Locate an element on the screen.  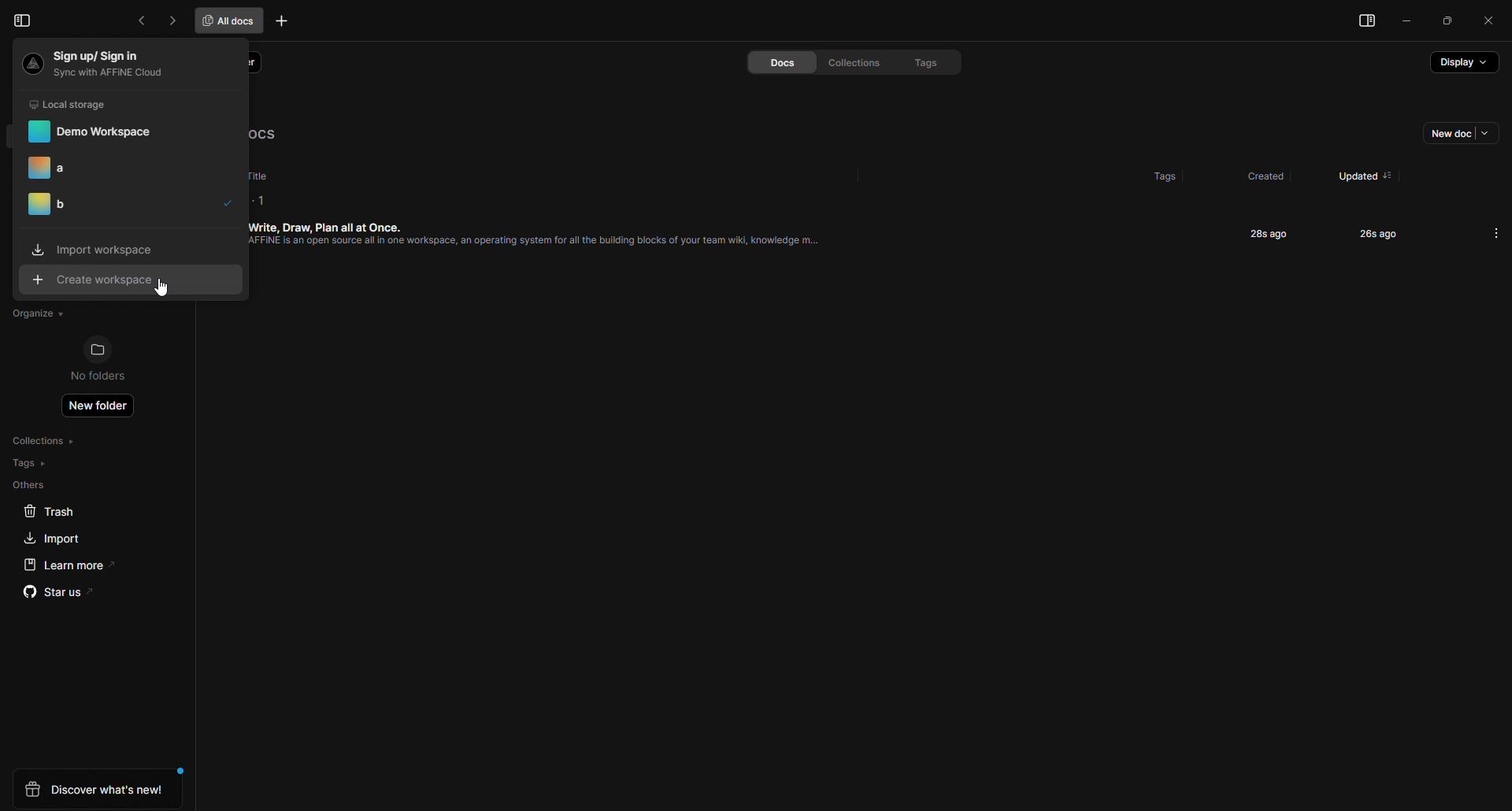
others is located at coordinates (30, 485).